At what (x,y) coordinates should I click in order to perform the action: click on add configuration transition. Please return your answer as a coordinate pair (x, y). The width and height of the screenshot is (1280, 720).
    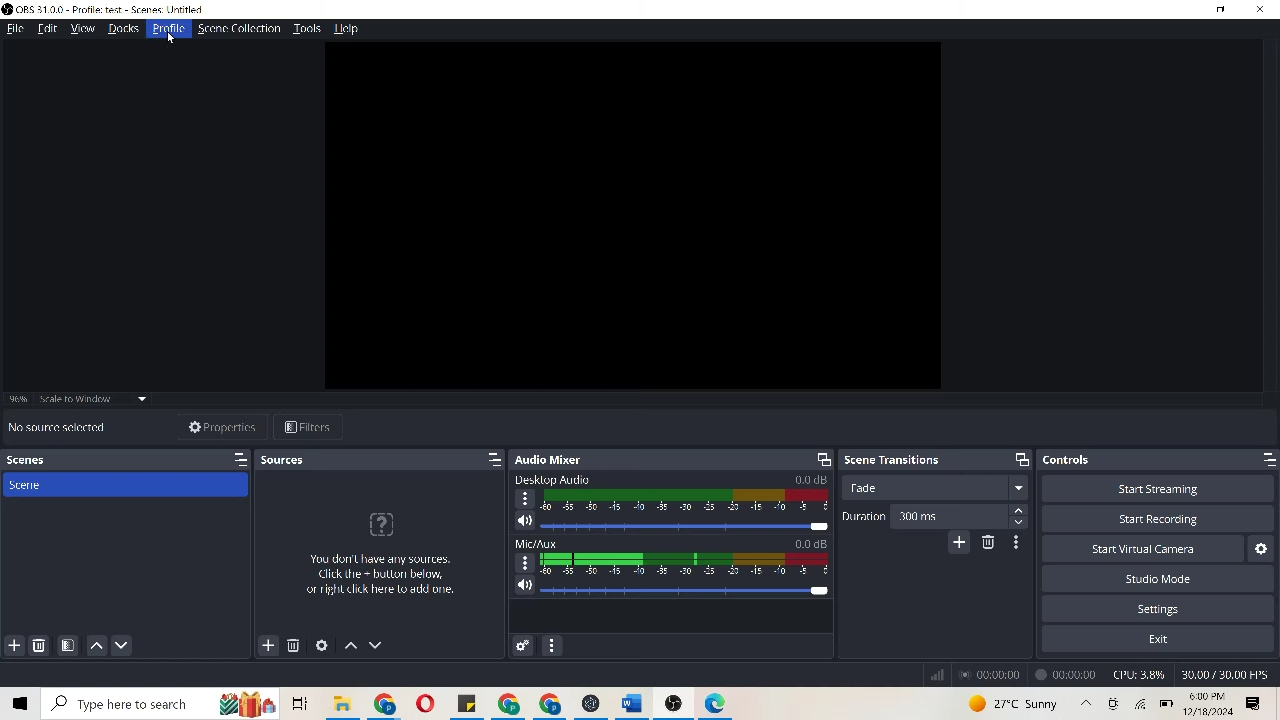
    Looking at the image, I should click on (957, 543).